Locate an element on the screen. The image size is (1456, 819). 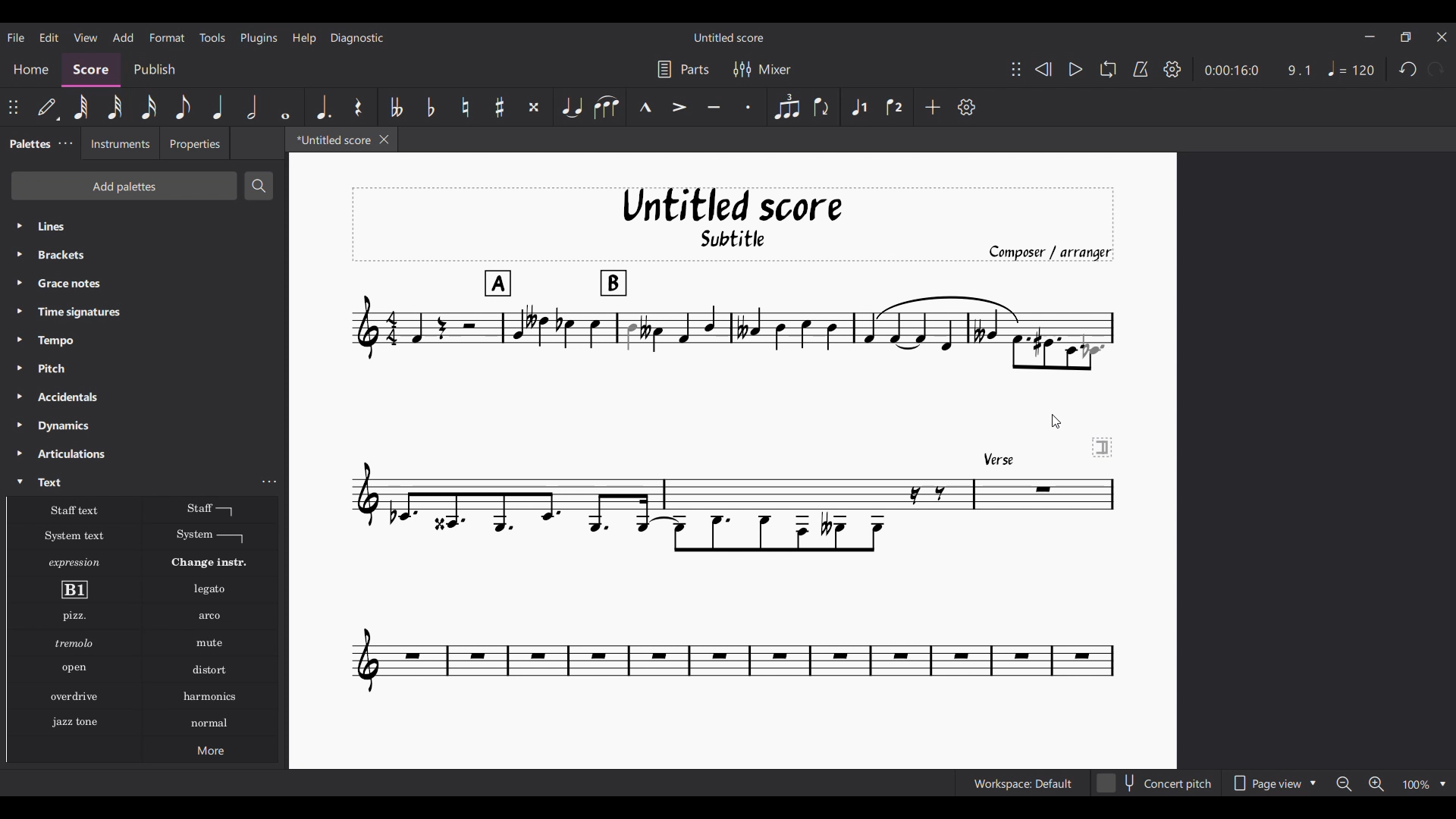
Tuplet is located at coordinates (788, 107).